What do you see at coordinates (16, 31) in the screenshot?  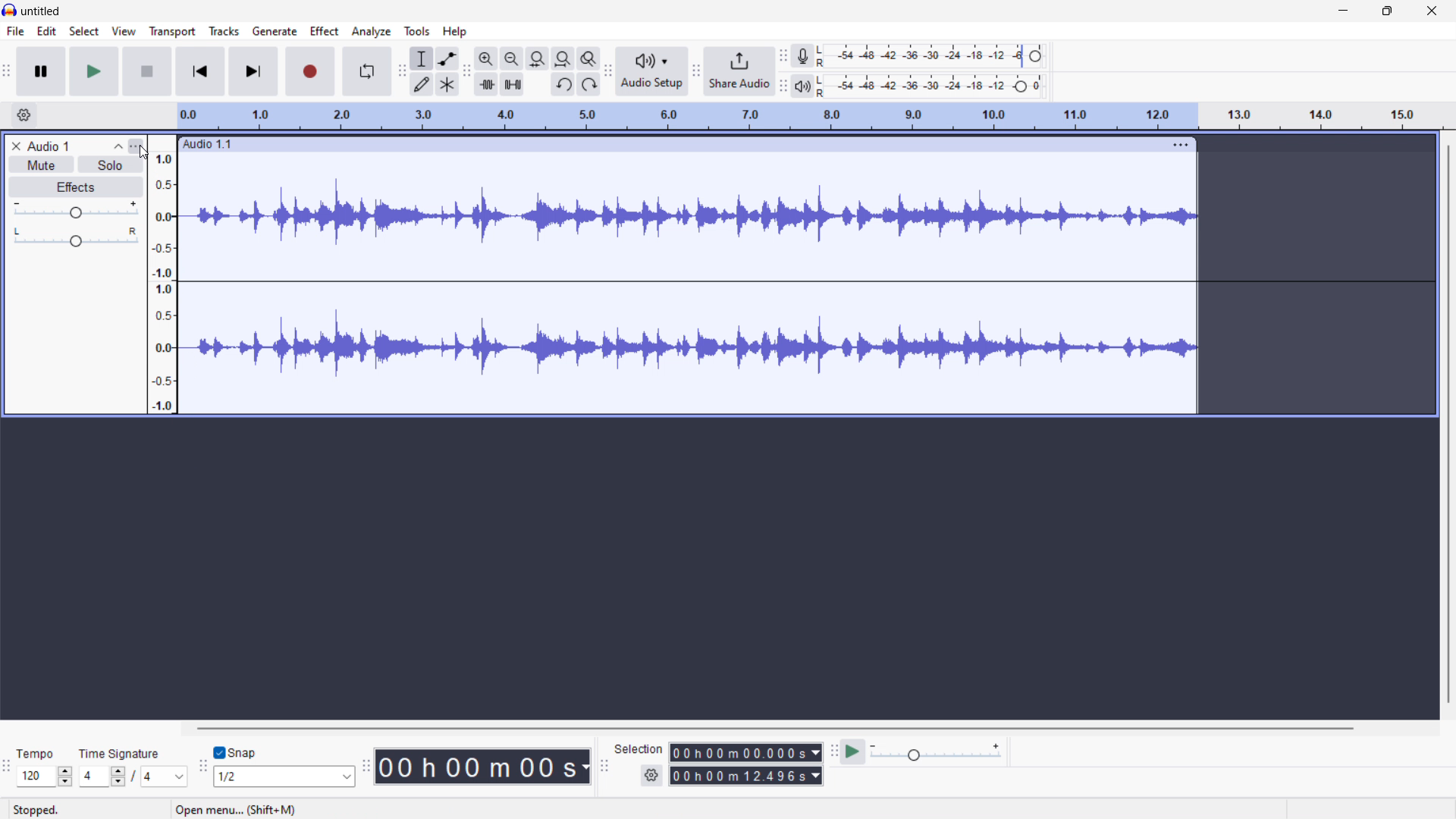 I see `file` at bounding box center [16, 31].